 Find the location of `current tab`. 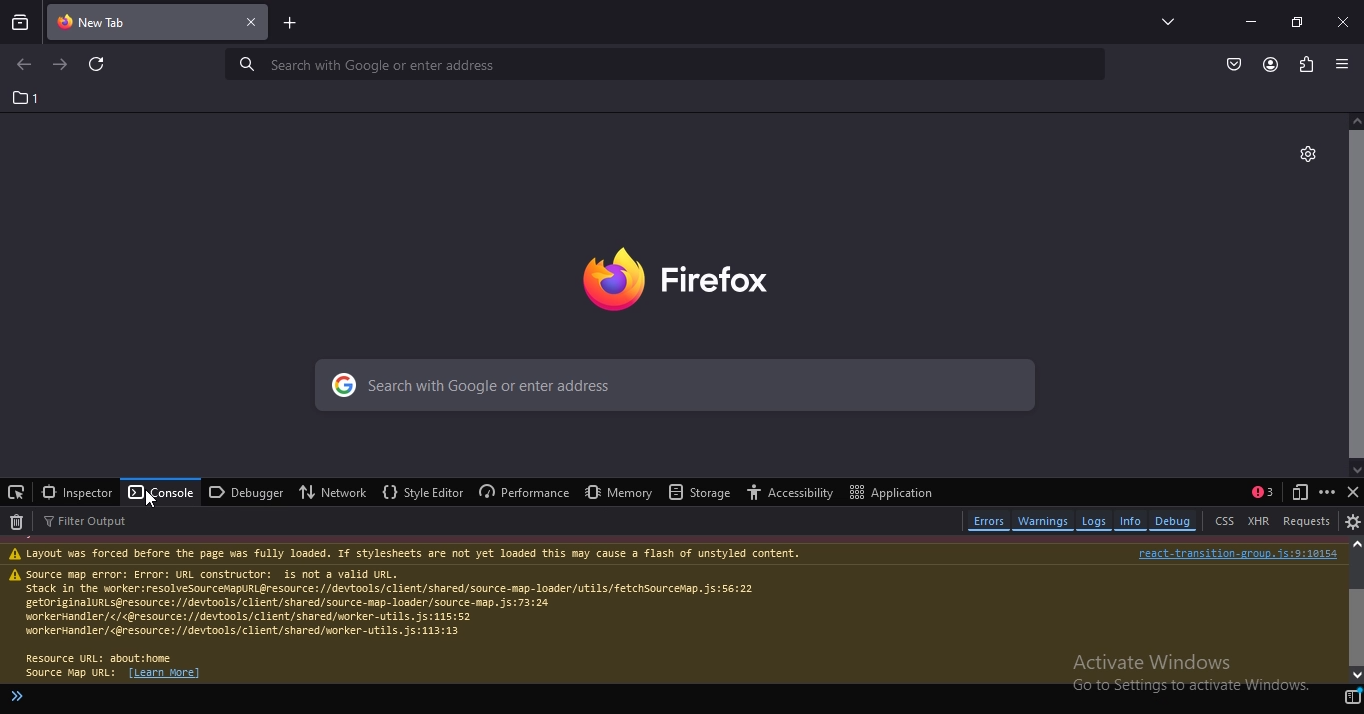

current tab is located at coordinates (126, 21).